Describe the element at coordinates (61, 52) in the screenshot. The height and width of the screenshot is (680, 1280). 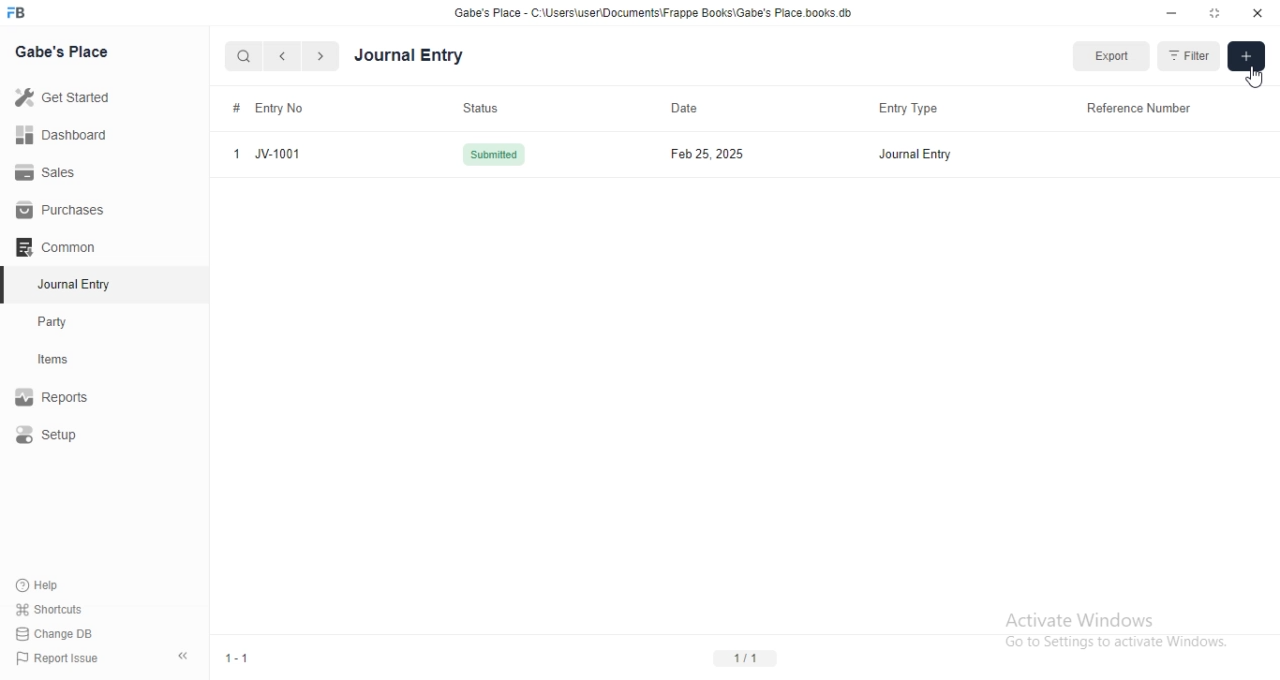
I see `Gabe's Place` at that location.